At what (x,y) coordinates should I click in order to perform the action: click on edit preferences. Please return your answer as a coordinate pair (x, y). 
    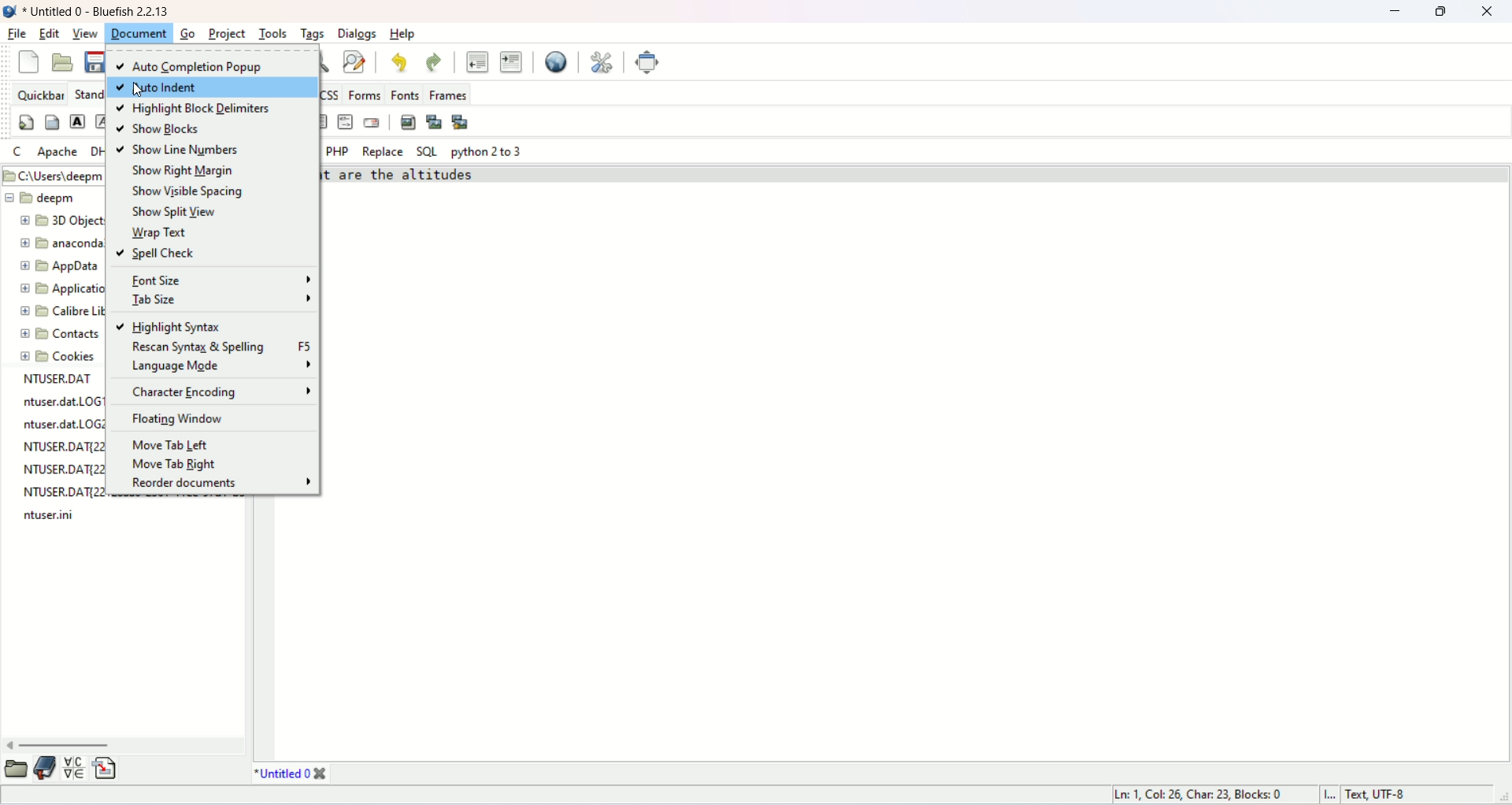
    Looking at the image, I should click on (602, 61).